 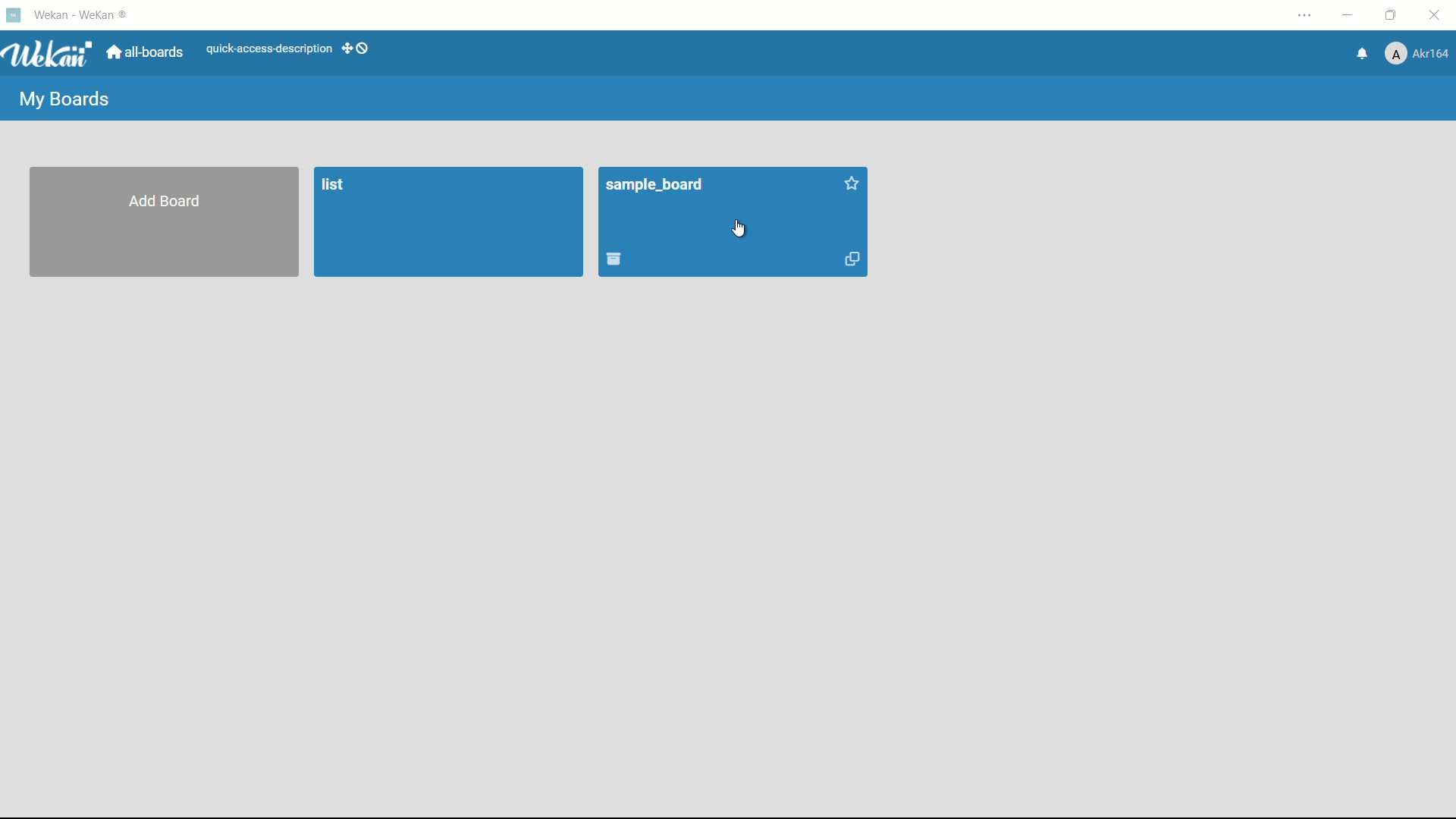 What do you see at coordinates (656, 184) in the screenshot?
I see `sample_board` at bounding box center [656, 184].